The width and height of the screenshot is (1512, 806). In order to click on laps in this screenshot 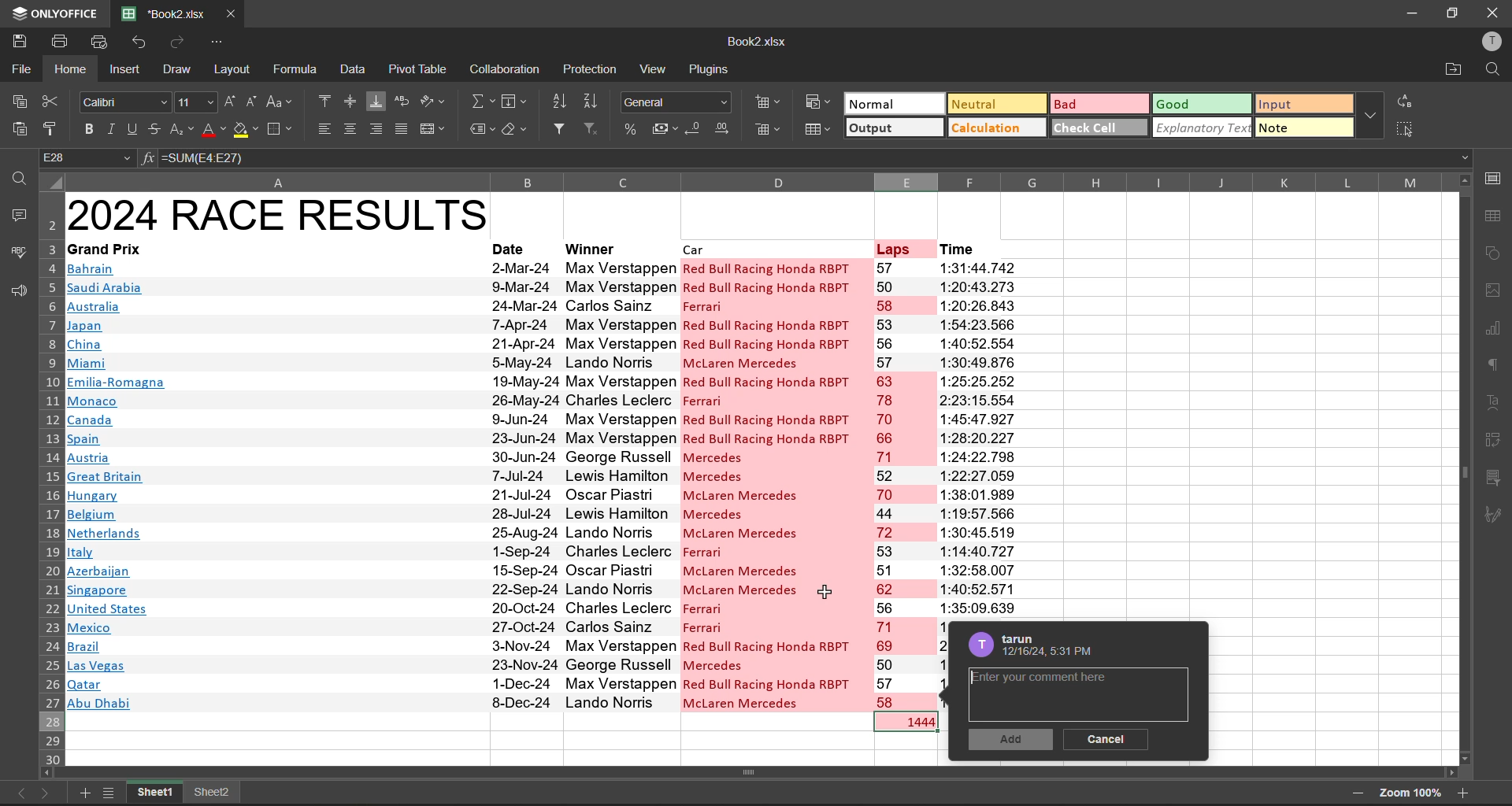, I will do `click(904, 485)`.